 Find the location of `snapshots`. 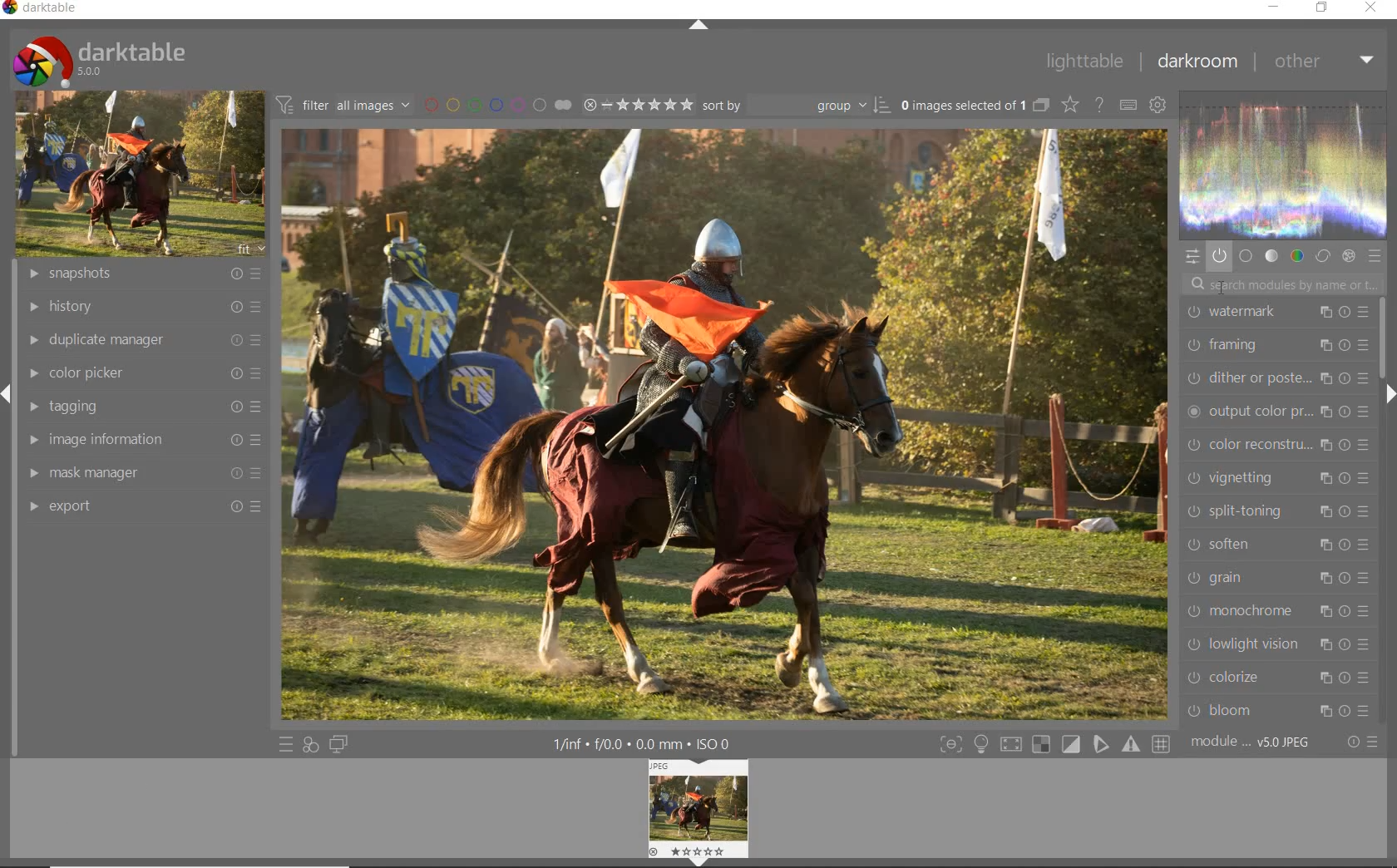

snapshots is located at coordinates (146, 274).